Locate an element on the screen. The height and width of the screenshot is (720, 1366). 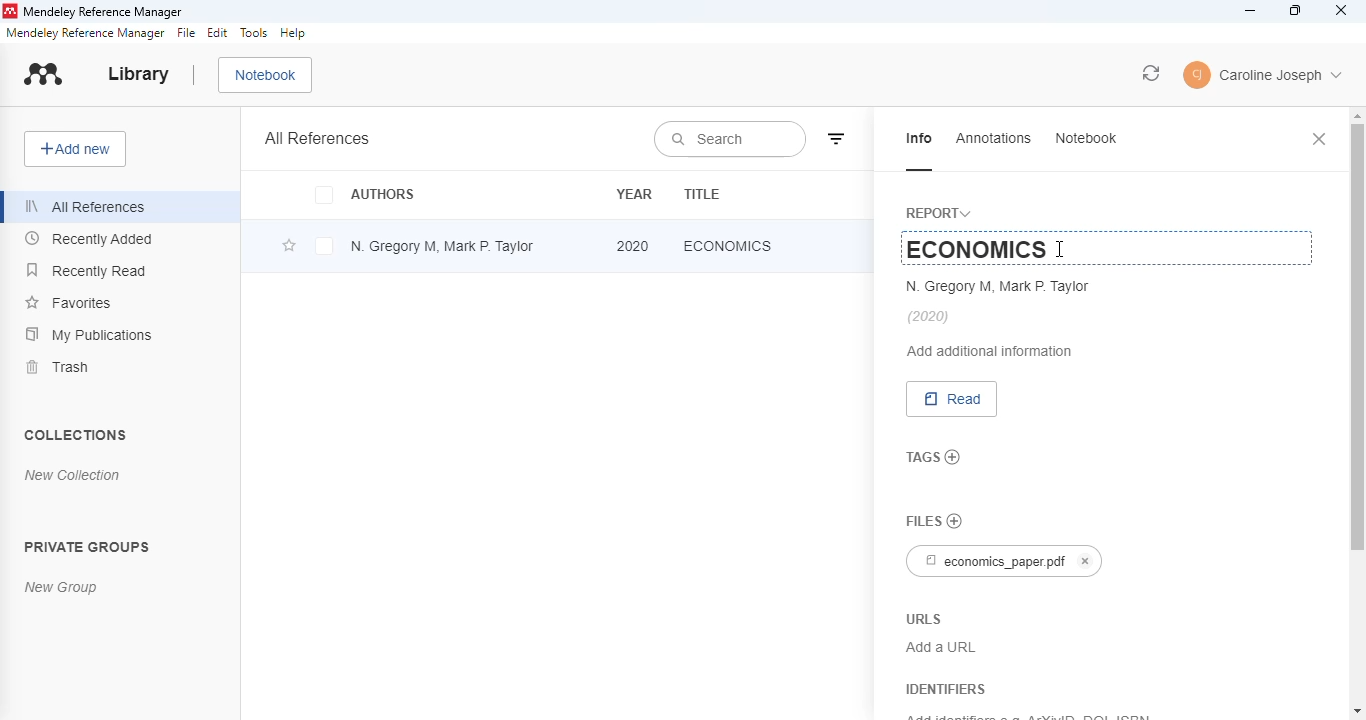
my publications is located at coordinates (91, 335).